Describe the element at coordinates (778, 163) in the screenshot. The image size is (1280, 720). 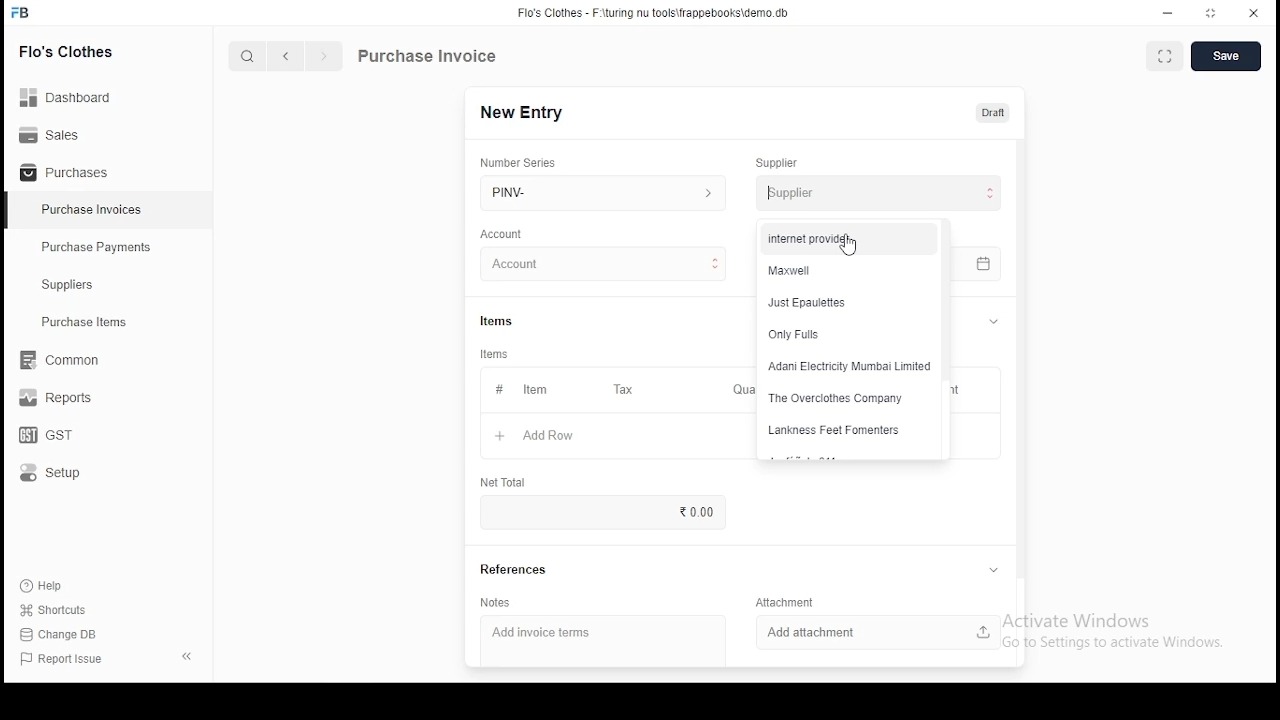
I see `Supplier` at that location.